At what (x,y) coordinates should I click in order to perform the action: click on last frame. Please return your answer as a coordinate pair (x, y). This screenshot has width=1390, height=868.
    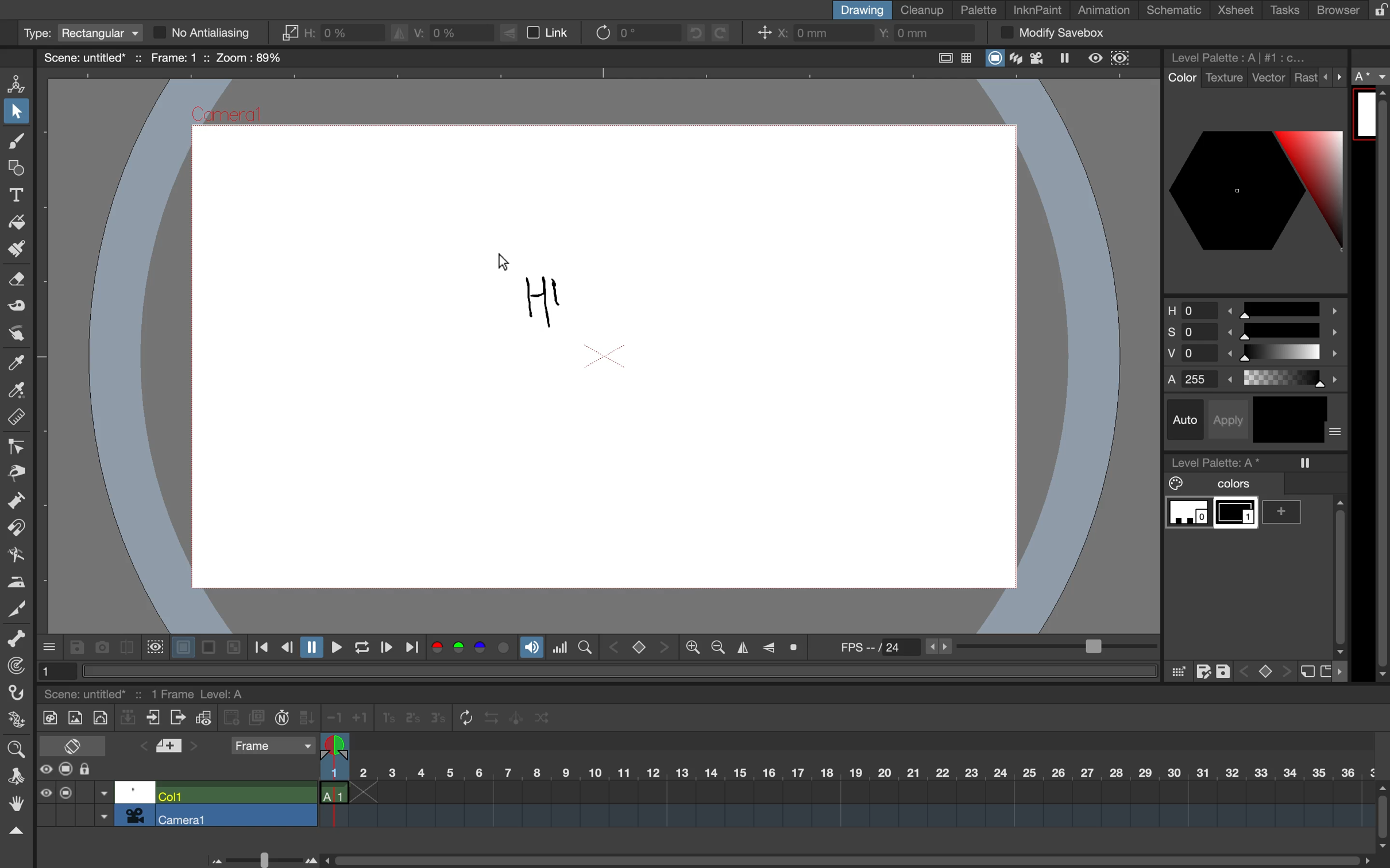
    Looking at the image, I should click on (414, 648).